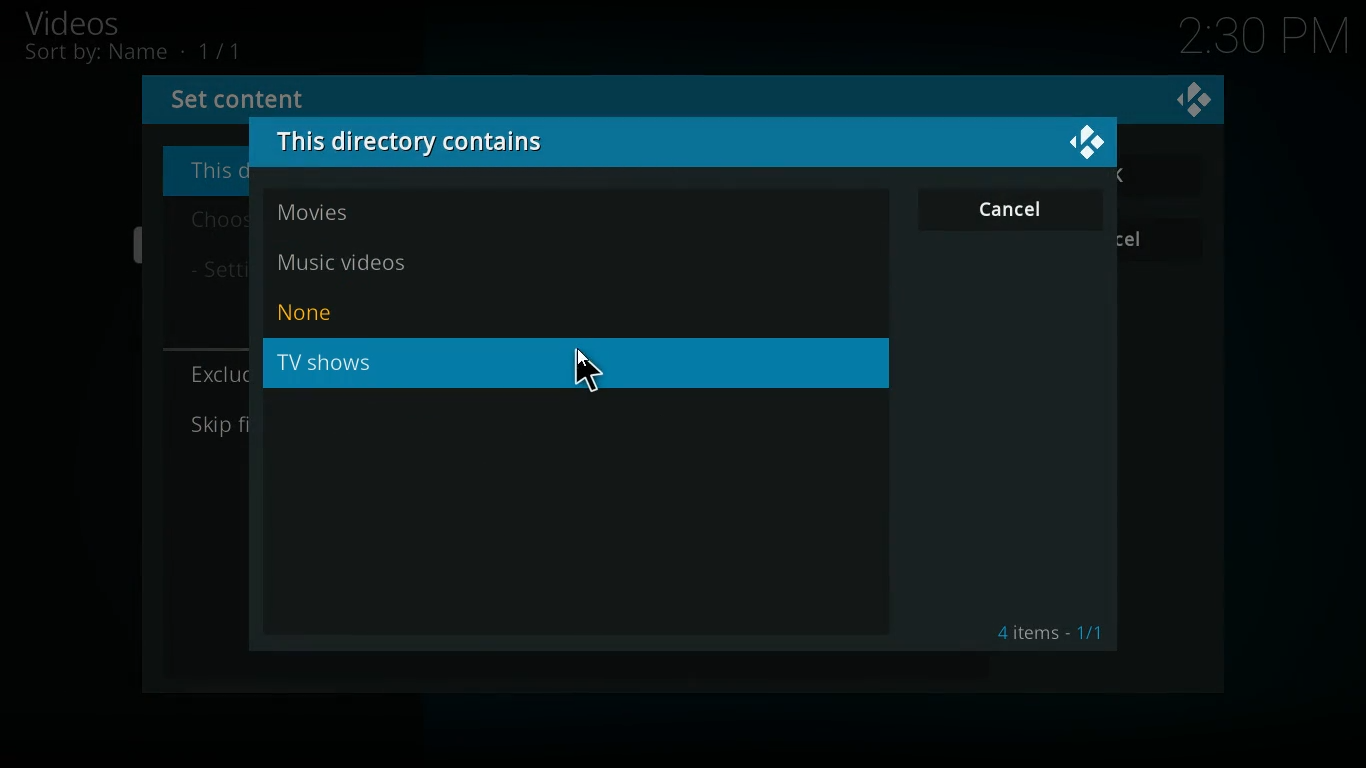 The width and height of the screenshot is (1366, 768). What do you see at coordinates (429, 142) in the screenshot?
I see `this directory contains` at bounding box center [429, 142].